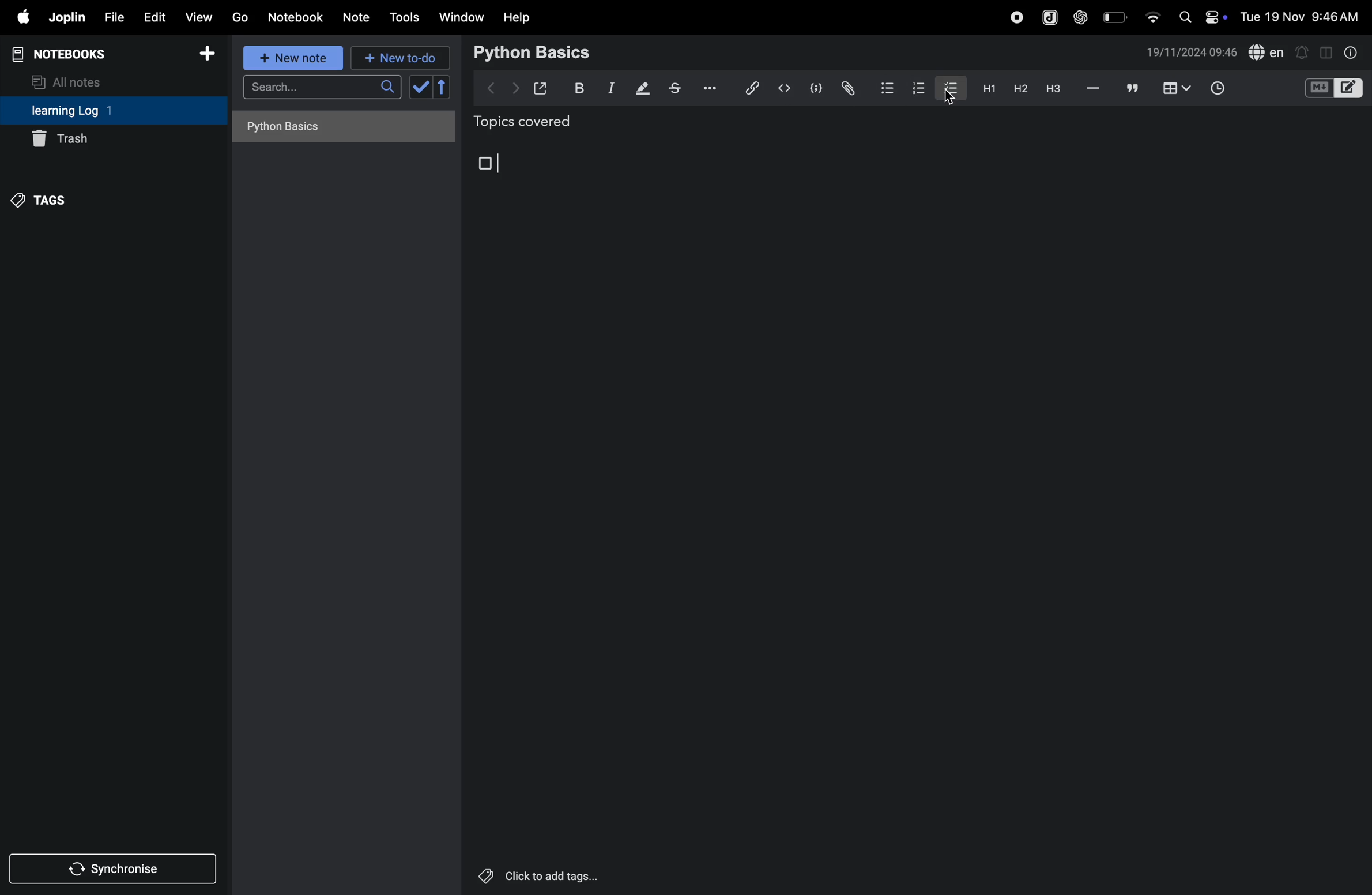 The image size is (1372, 895). I want to click on synchronise, so click(115, 870).